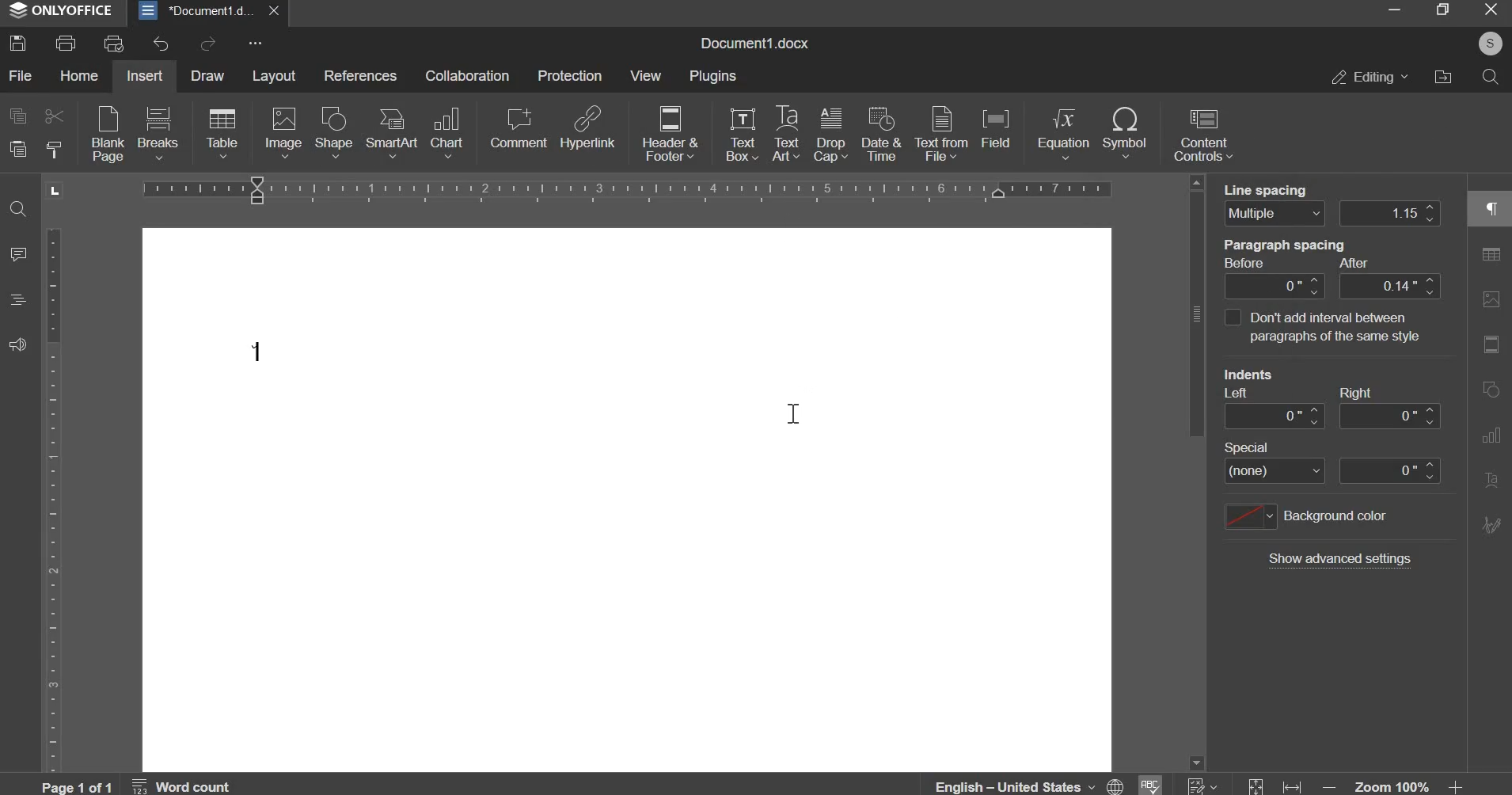  Describe the element at coordinates (569, 75) in the screenshot. I see `protection` at that location.